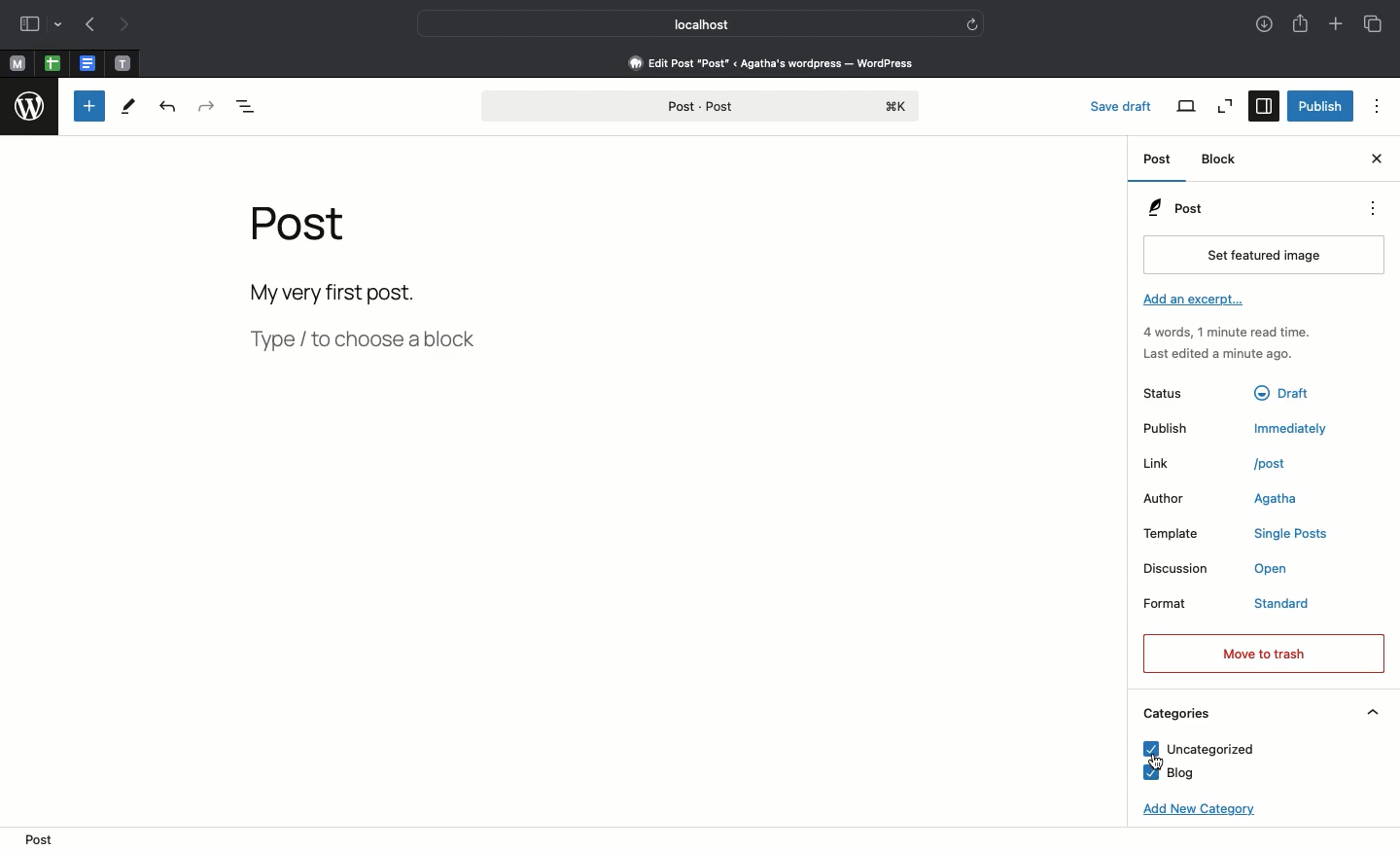 Image resolution: width=1400 pixels, height=850 pixels. Describe the element at coordinates (39, 838) in the screenshot. I see `Post` at that location.